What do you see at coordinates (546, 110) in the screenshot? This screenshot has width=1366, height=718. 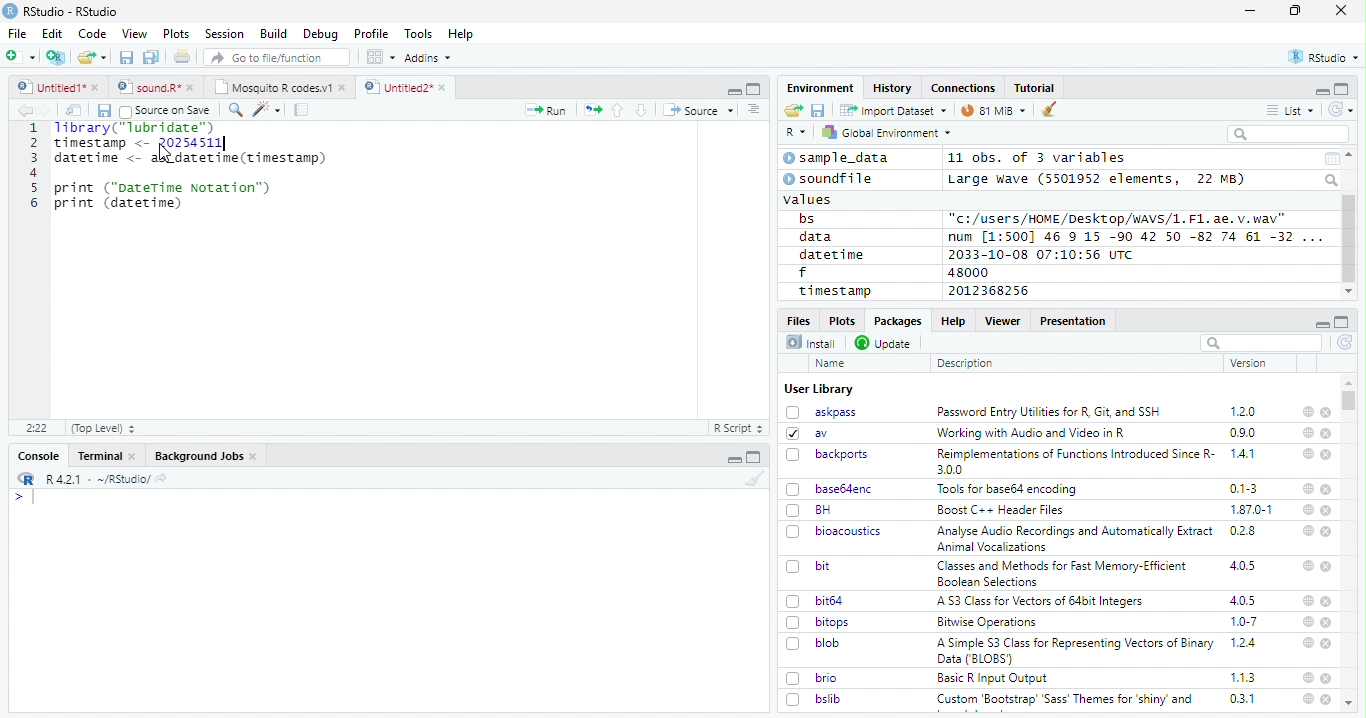 I see `Run the current line` at bounding box center [546, 110].